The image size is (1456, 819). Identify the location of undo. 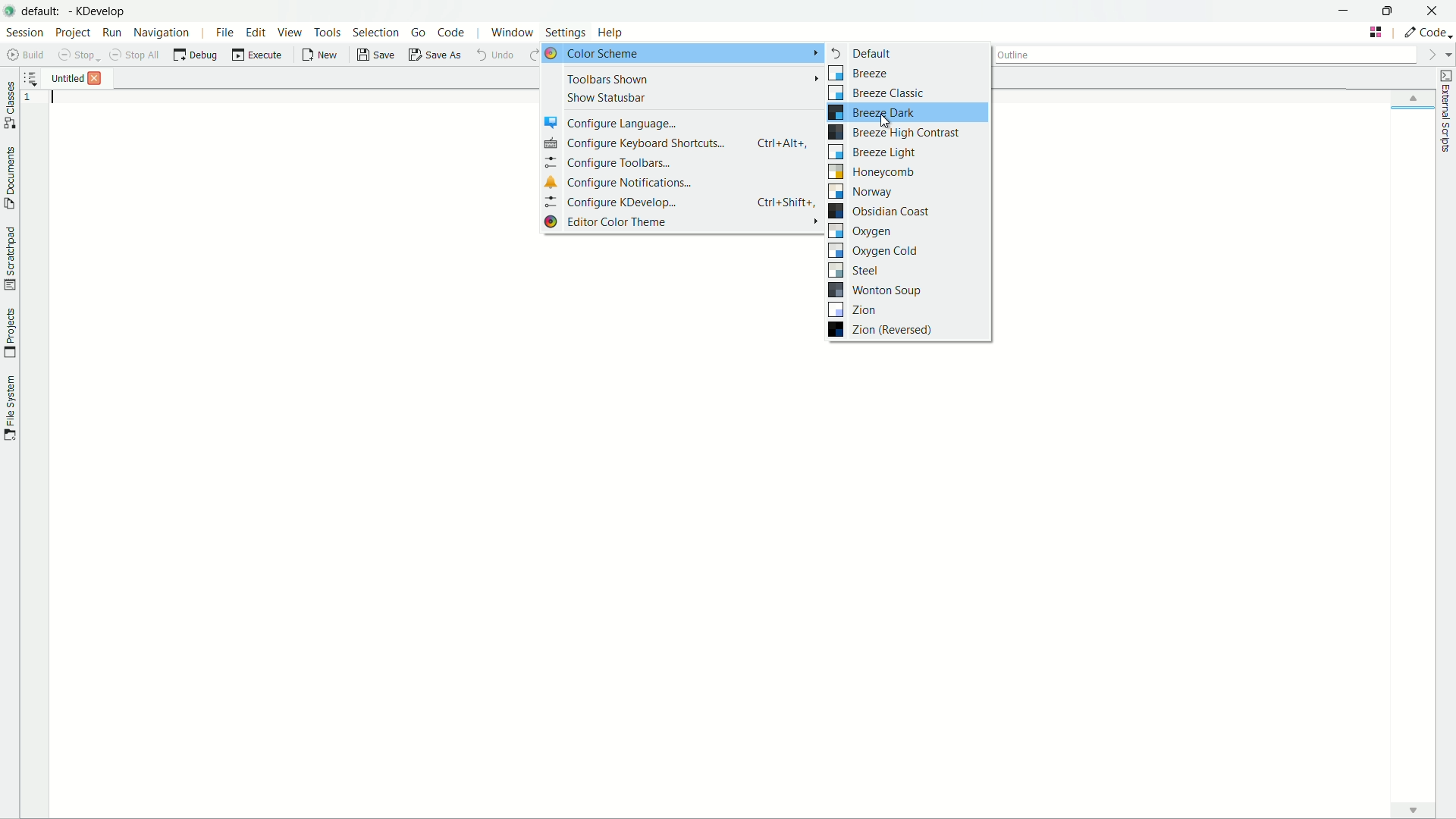
(493, 54).